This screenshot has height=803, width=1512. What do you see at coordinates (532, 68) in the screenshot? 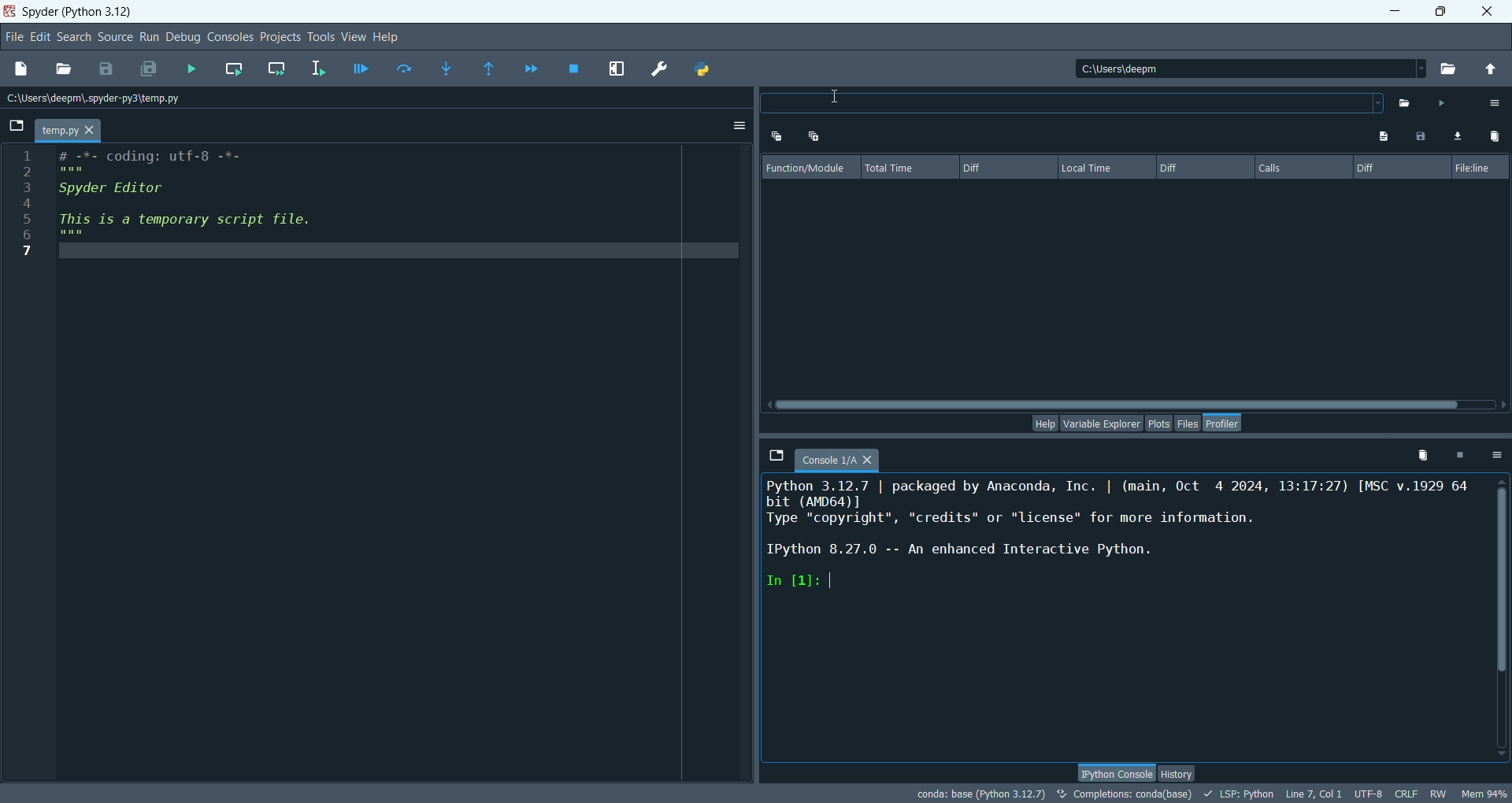
I see `continue execution until next breakdown` at bounding box center [532, 68].